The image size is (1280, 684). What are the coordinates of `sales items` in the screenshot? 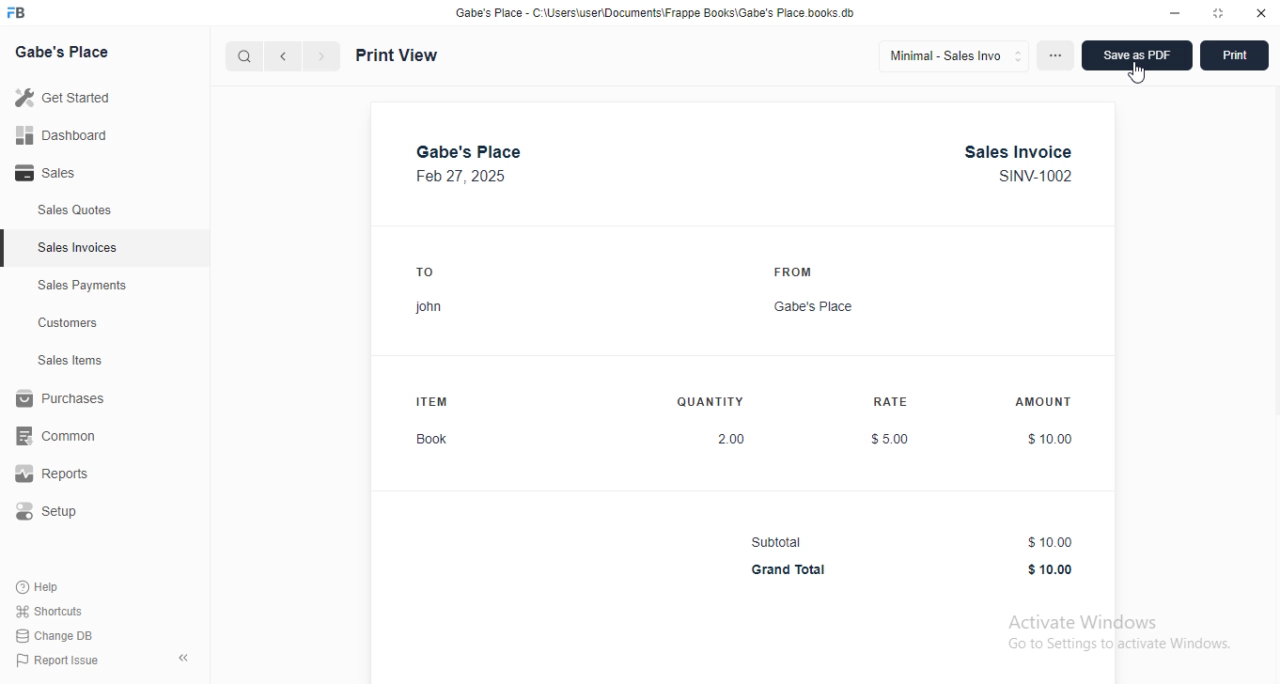 It's located at (69, 360).